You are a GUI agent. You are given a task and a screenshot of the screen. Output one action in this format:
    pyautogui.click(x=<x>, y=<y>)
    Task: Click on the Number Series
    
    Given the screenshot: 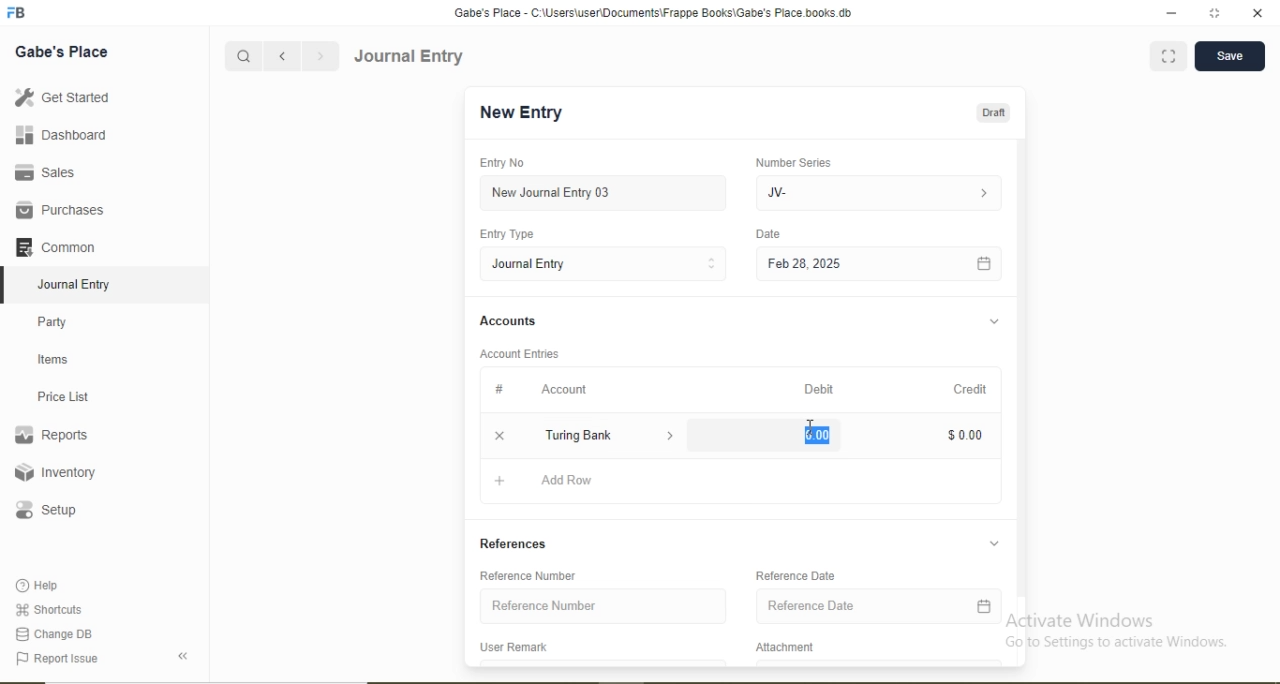 What is the action you would take?
    pyautogui.click(x=793, y=163)
    